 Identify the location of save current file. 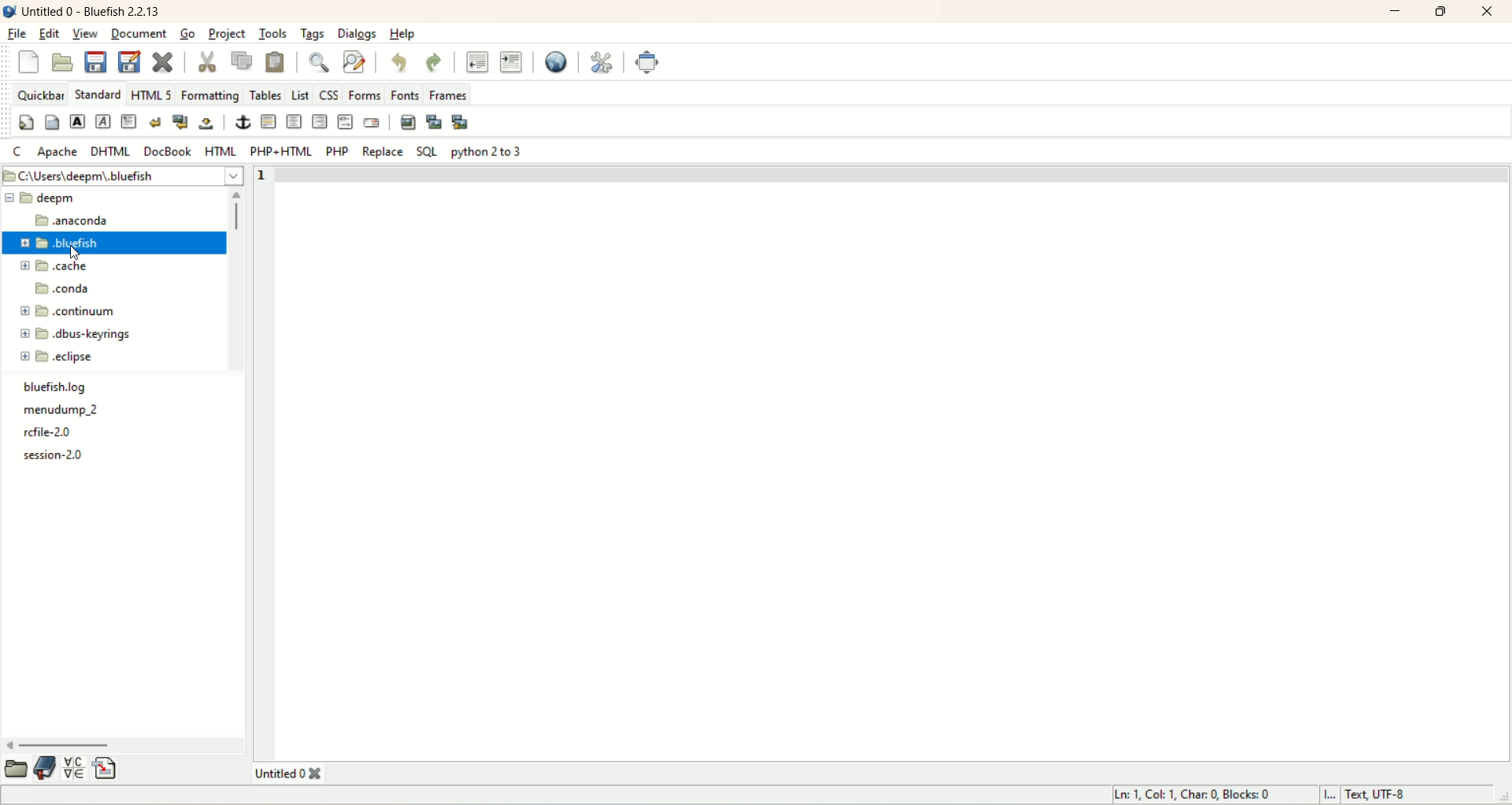
(95, 62).